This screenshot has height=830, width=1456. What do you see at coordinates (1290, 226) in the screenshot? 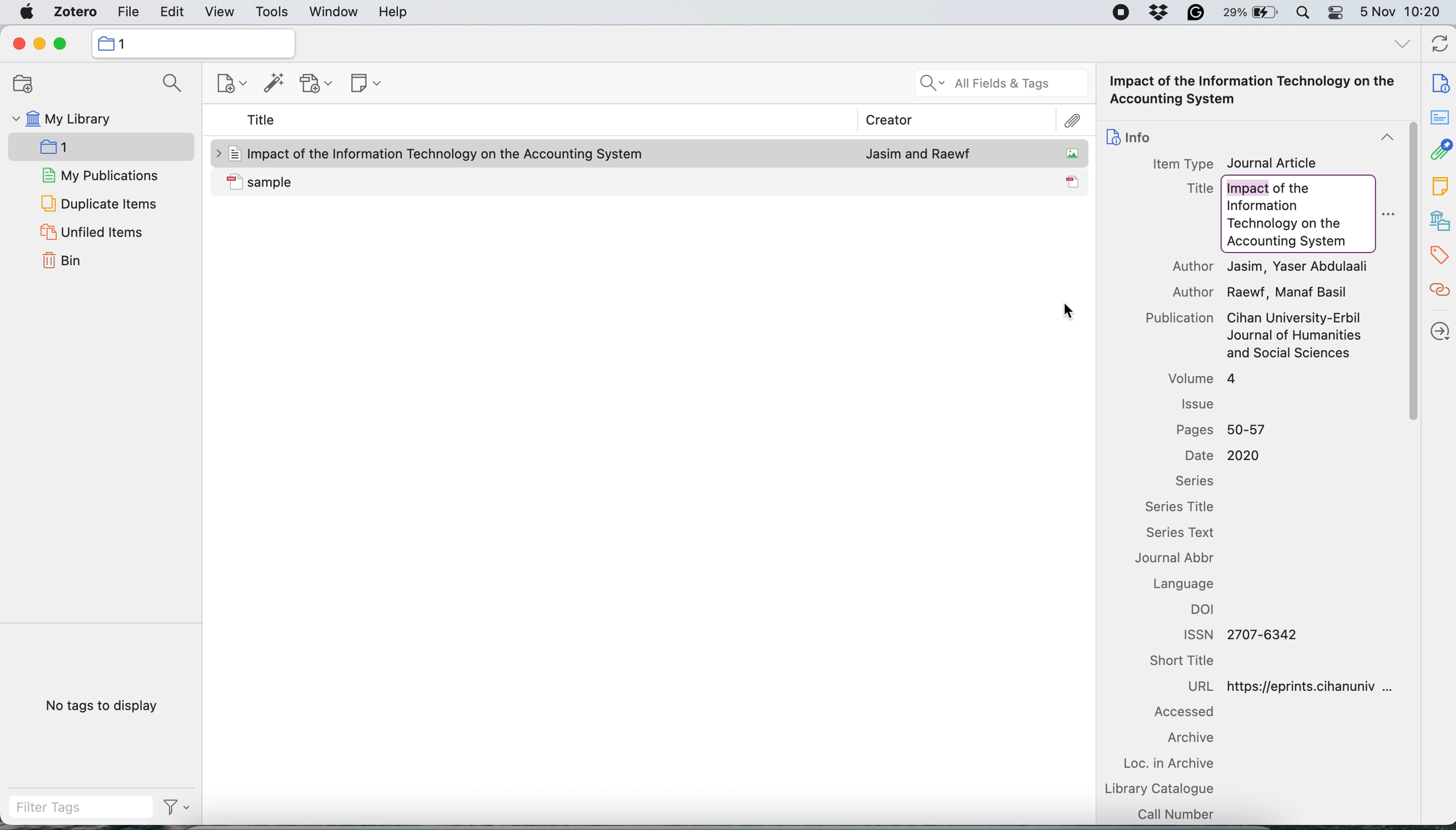
I see `Information Technology on the Accounting System` at bounding box center [1290, 226].